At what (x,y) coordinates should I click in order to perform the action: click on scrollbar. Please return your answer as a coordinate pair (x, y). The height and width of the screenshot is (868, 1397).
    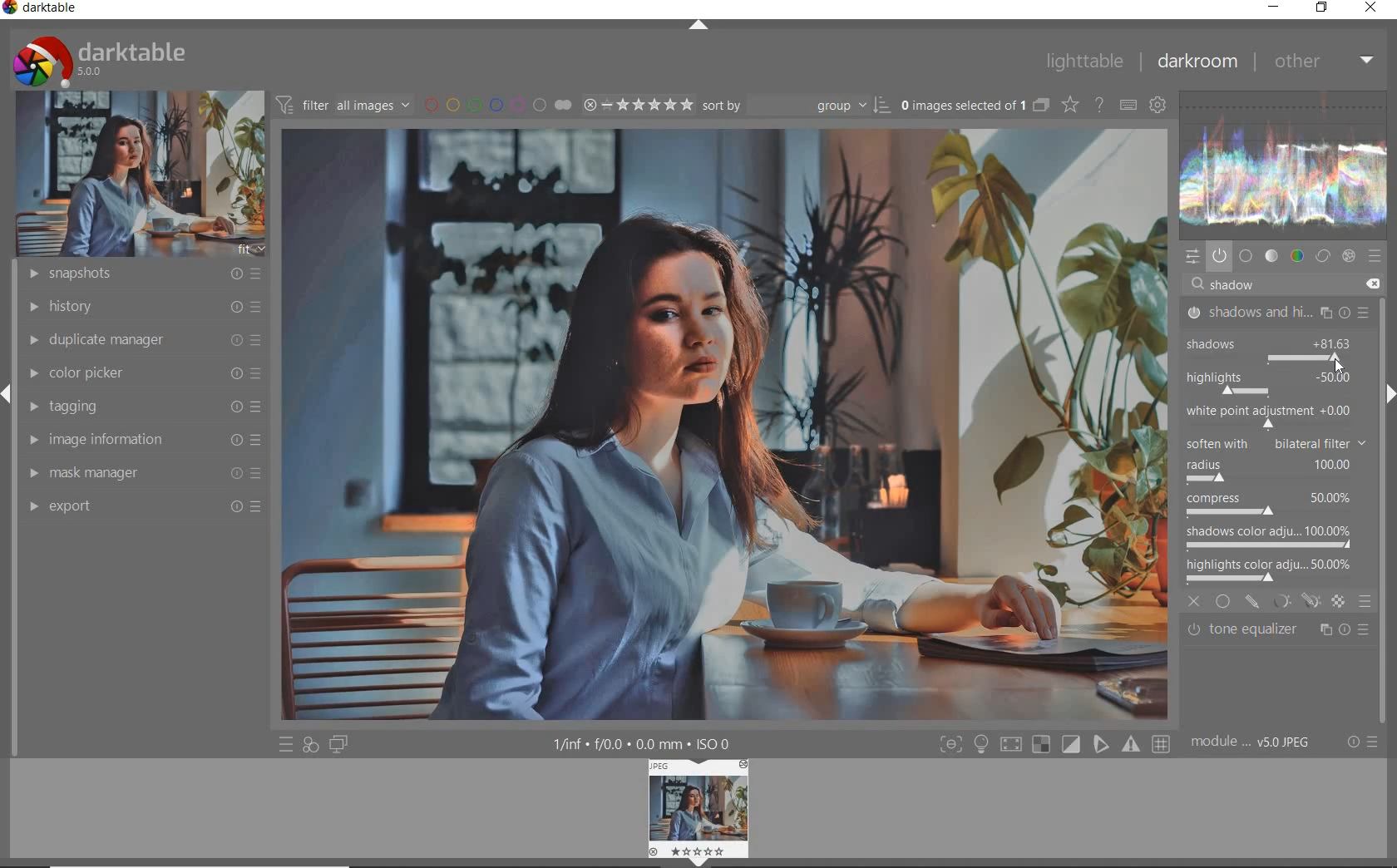
    Looking at the image, I should click on (1387, 332).